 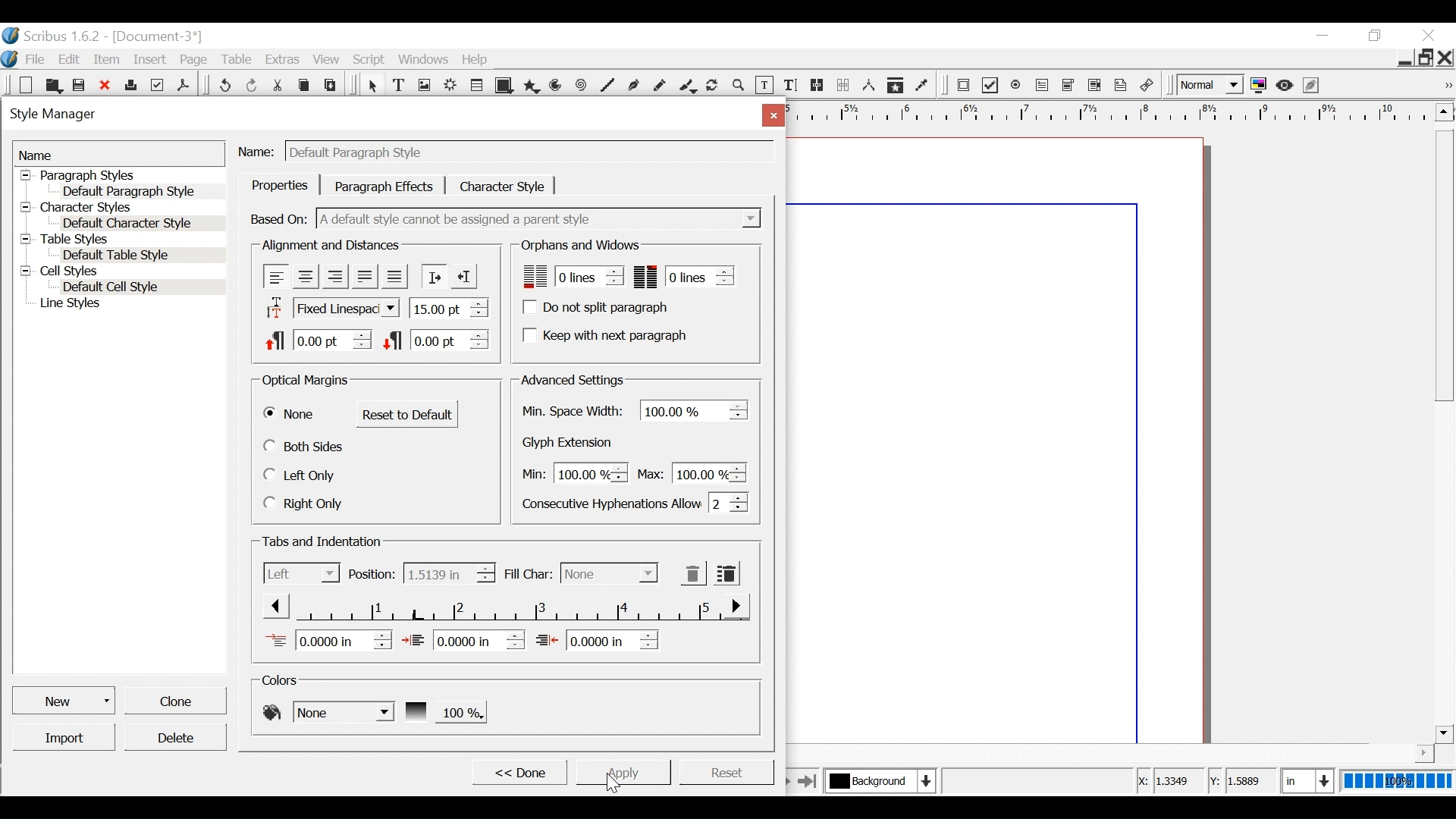 What do you see at coordinates (713, 86) in the screenshot?
I see `Rotate` at bounding box center [713, 86].